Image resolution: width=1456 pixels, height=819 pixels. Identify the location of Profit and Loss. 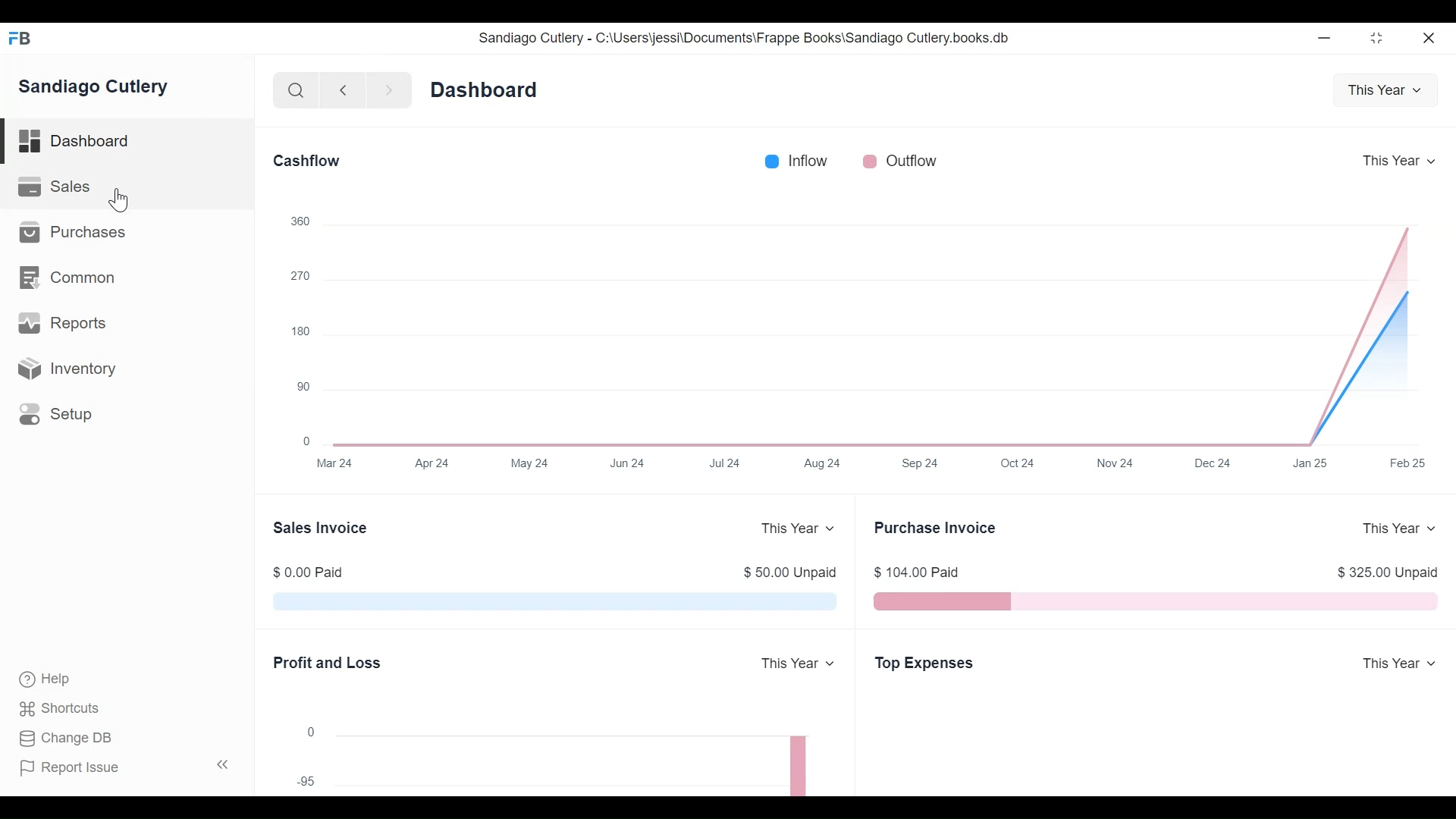
(329, 662).